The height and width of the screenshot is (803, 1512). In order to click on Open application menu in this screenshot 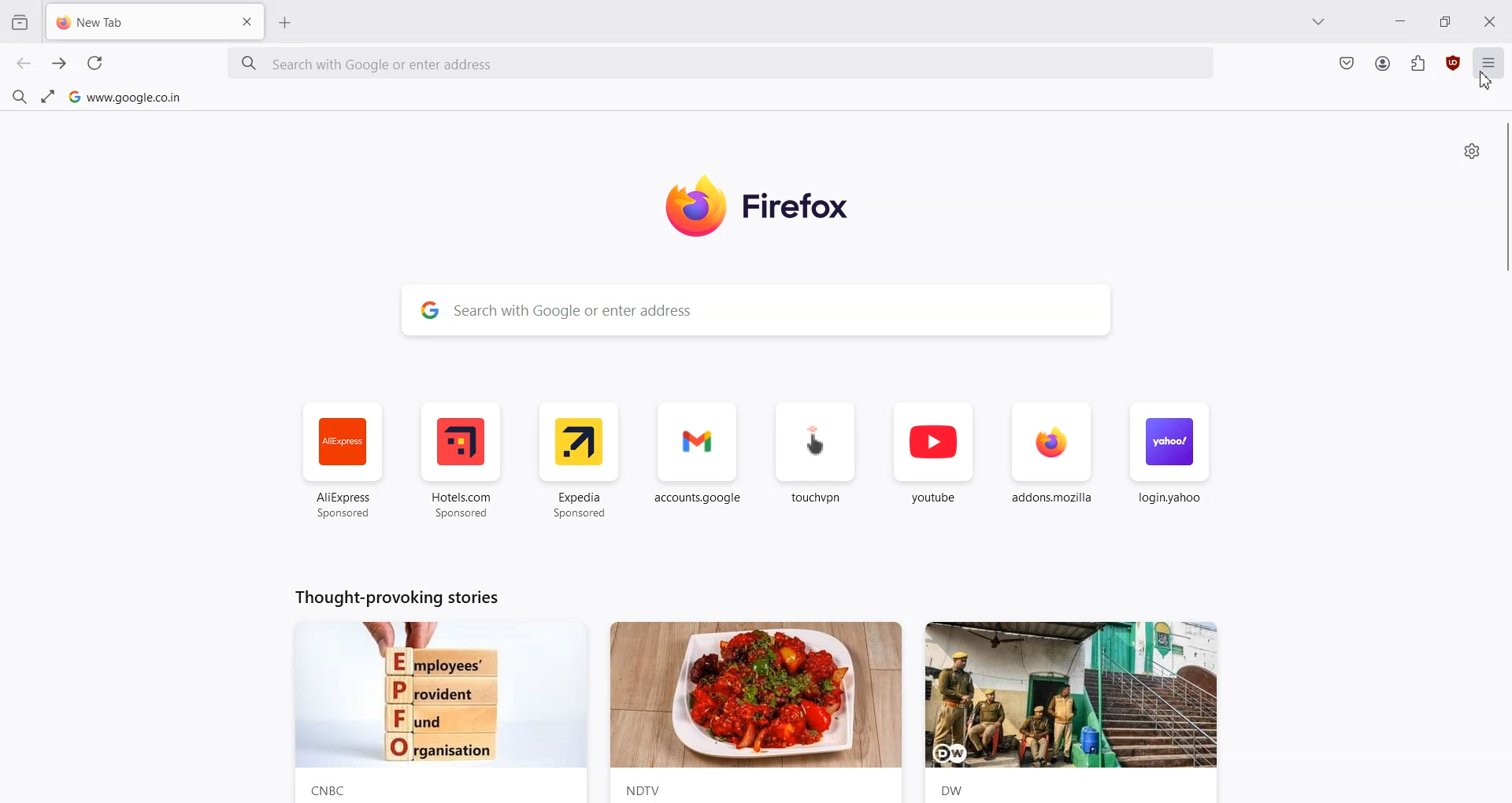, I will do `click(1490, 69)`.